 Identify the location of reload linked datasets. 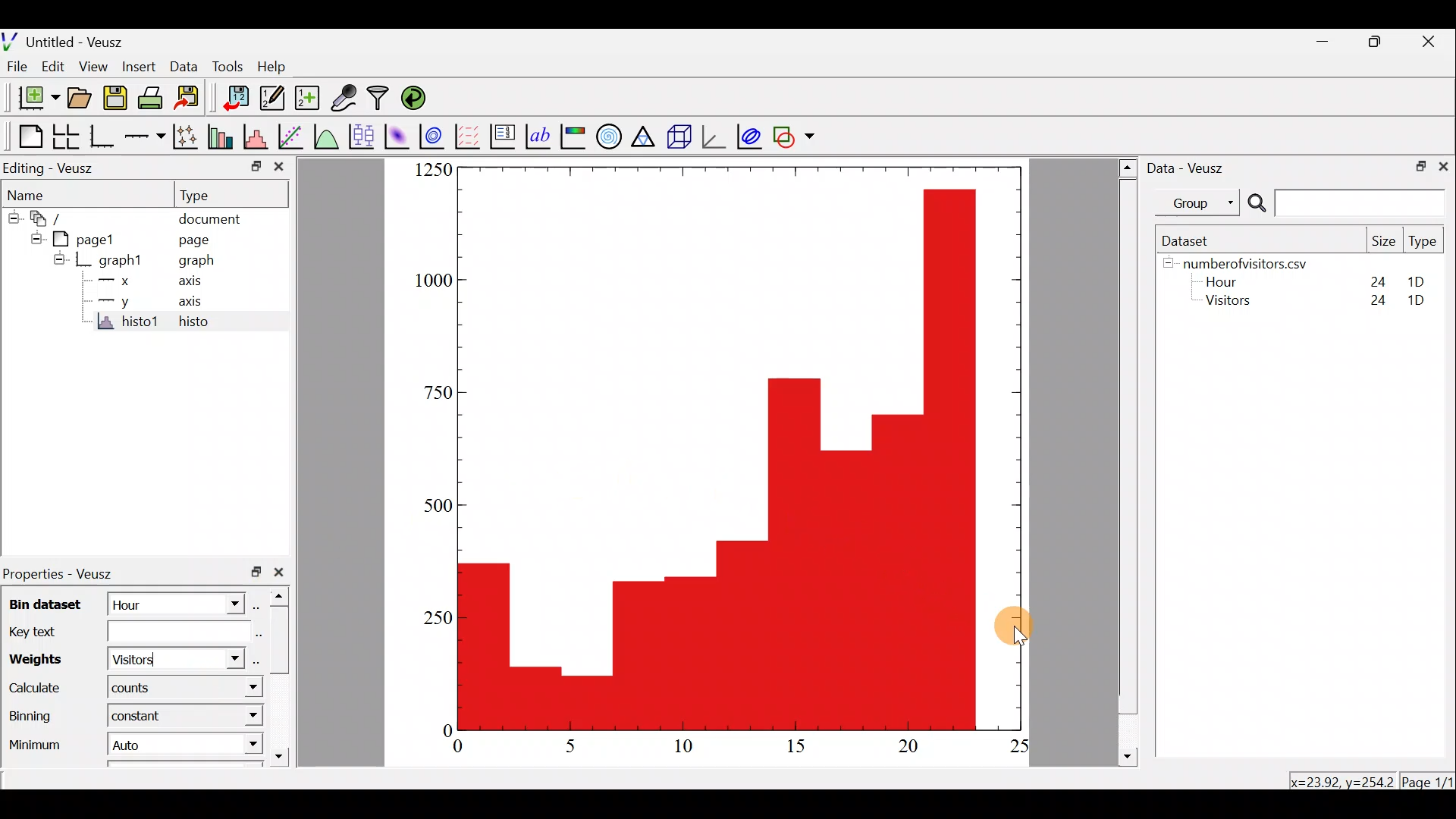
(419, 99).